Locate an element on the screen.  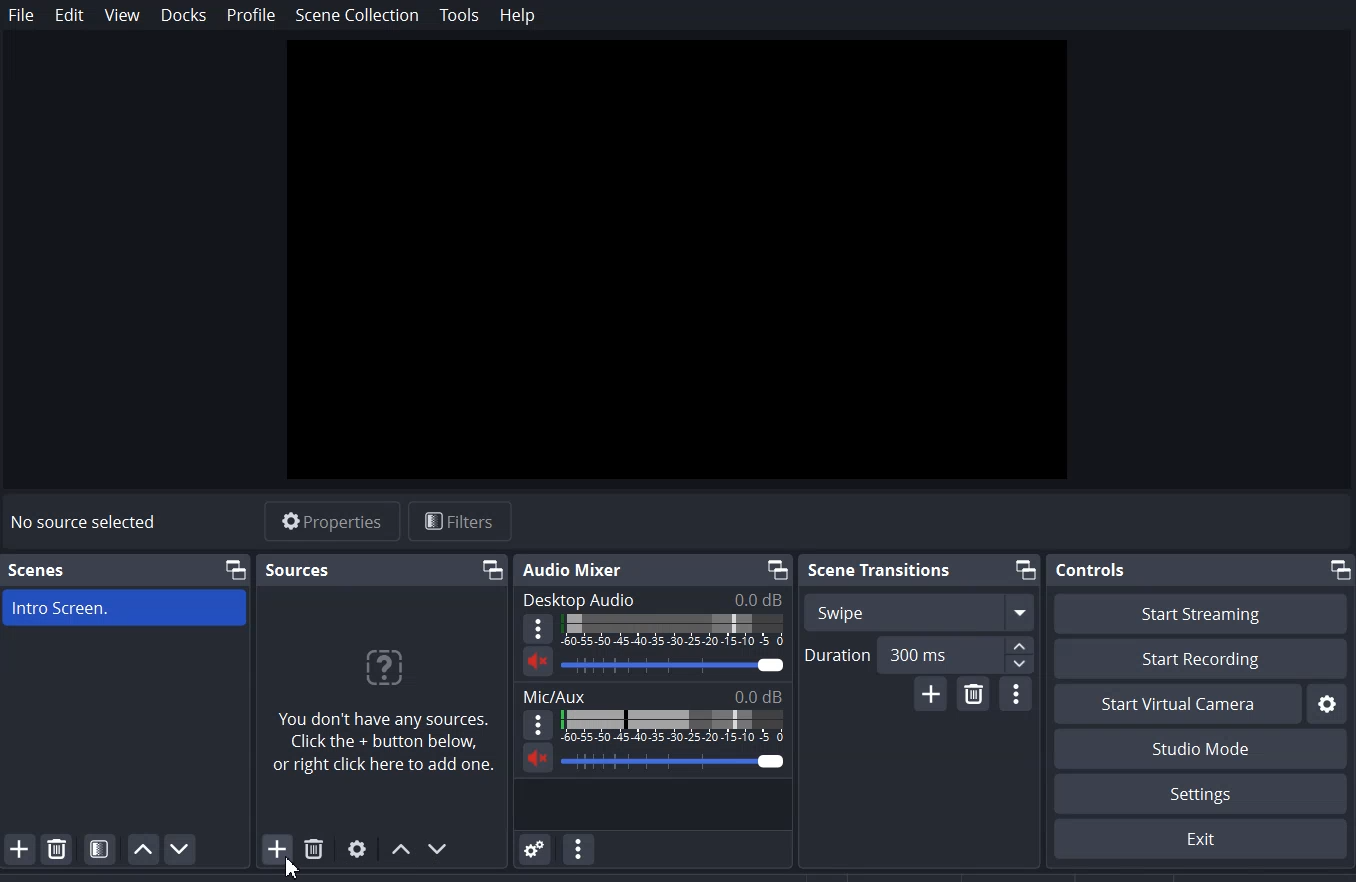
Controls is located at coordinates (1091, 569).